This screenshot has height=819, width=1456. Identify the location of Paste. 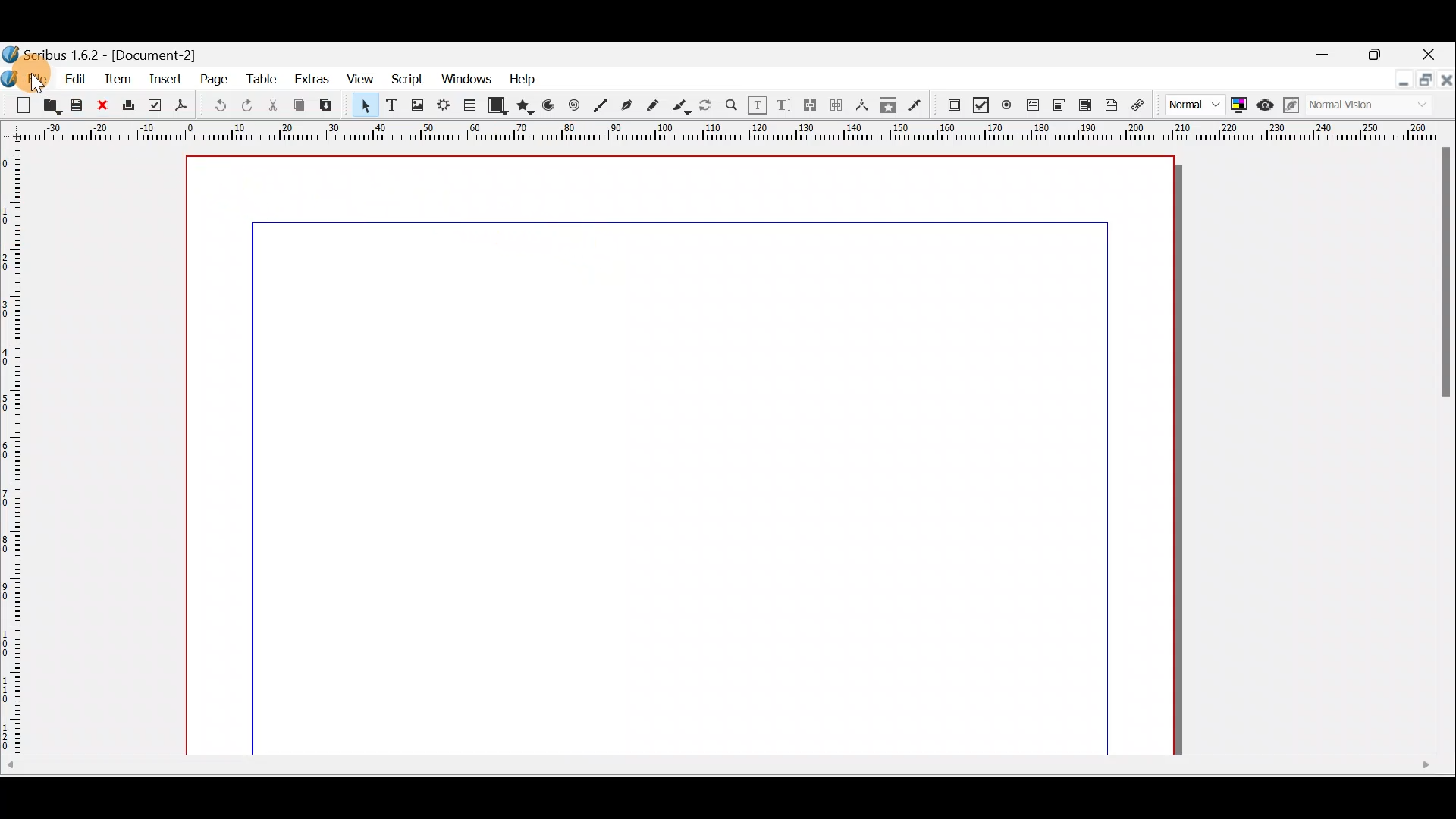
(325, 105).